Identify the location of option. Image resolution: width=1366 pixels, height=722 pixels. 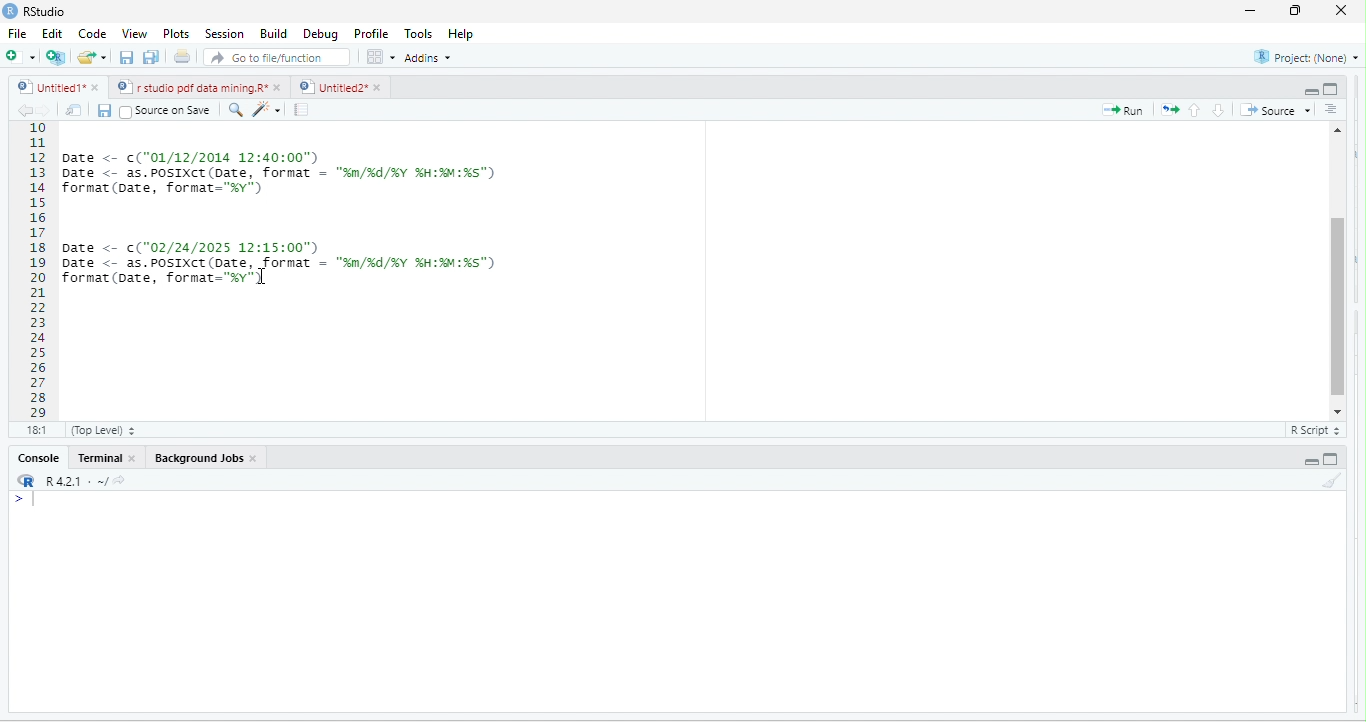
(379, 56).